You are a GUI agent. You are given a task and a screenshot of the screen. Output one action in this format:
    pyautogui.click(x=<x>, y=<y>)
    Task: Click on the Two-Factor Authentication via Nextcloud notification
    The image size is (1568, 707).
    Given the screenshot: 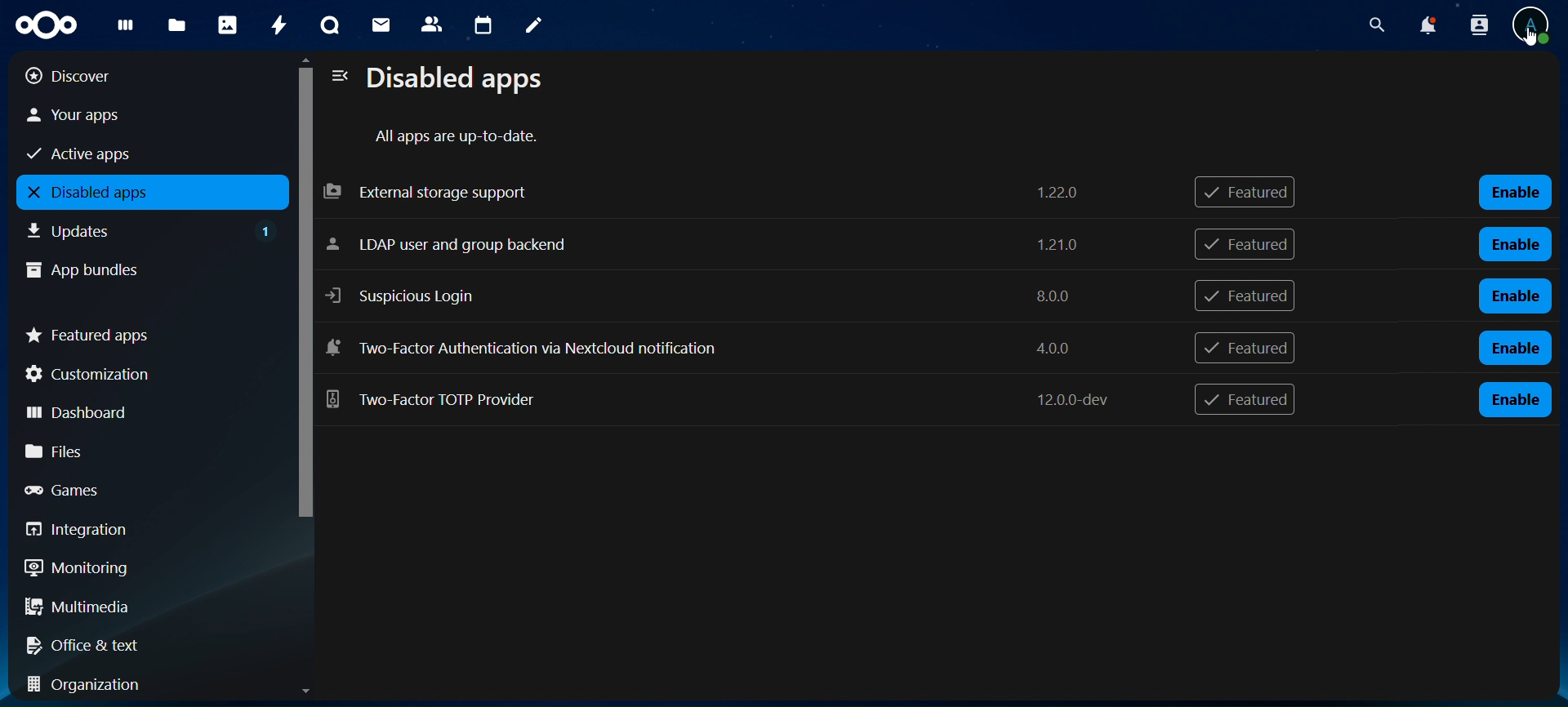 What is the action you would take?
    pyautogui.click(x=722, y=351)
    